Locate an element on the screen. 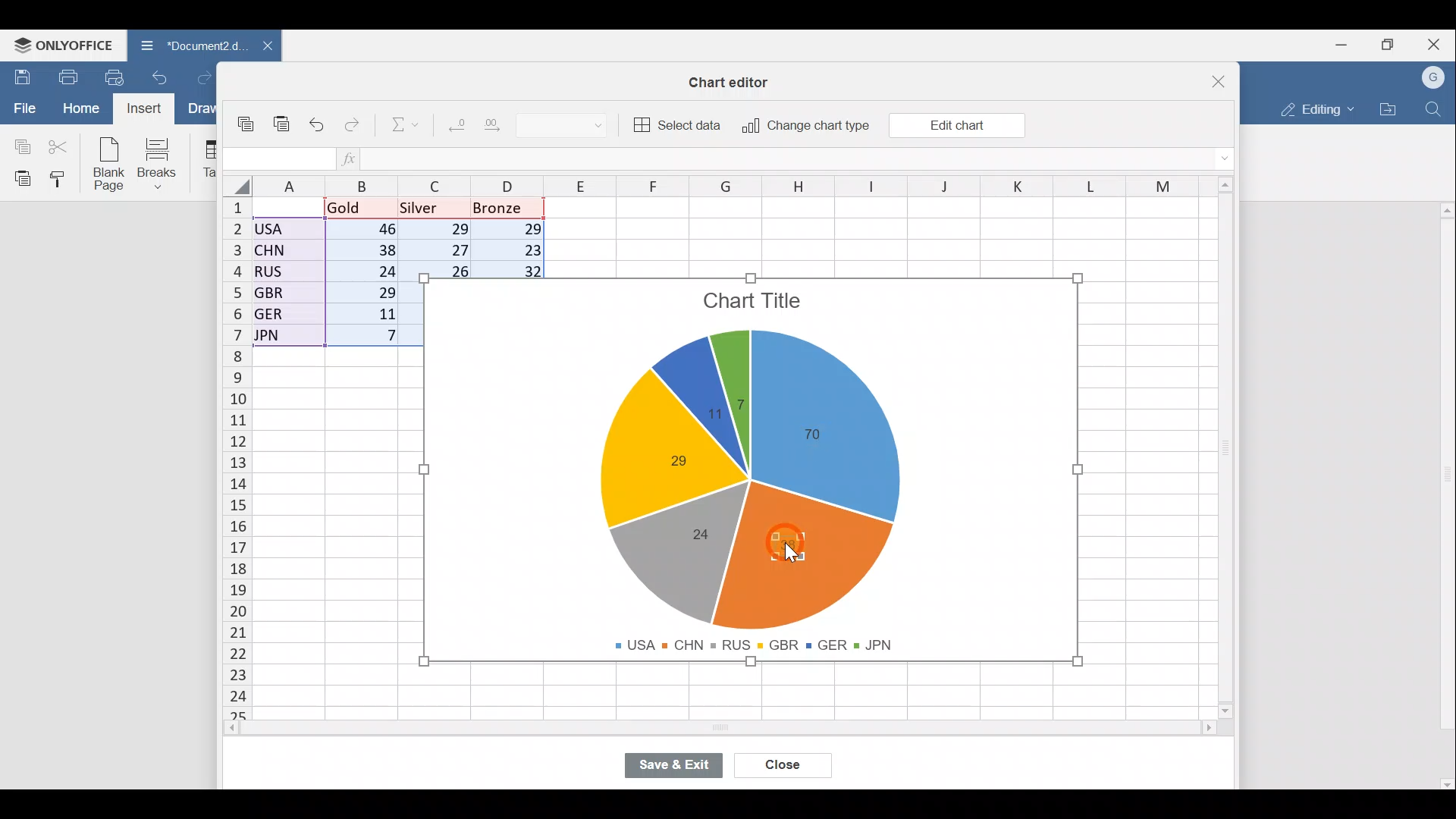  Scroll bar is located at coordinates (1232, 452).